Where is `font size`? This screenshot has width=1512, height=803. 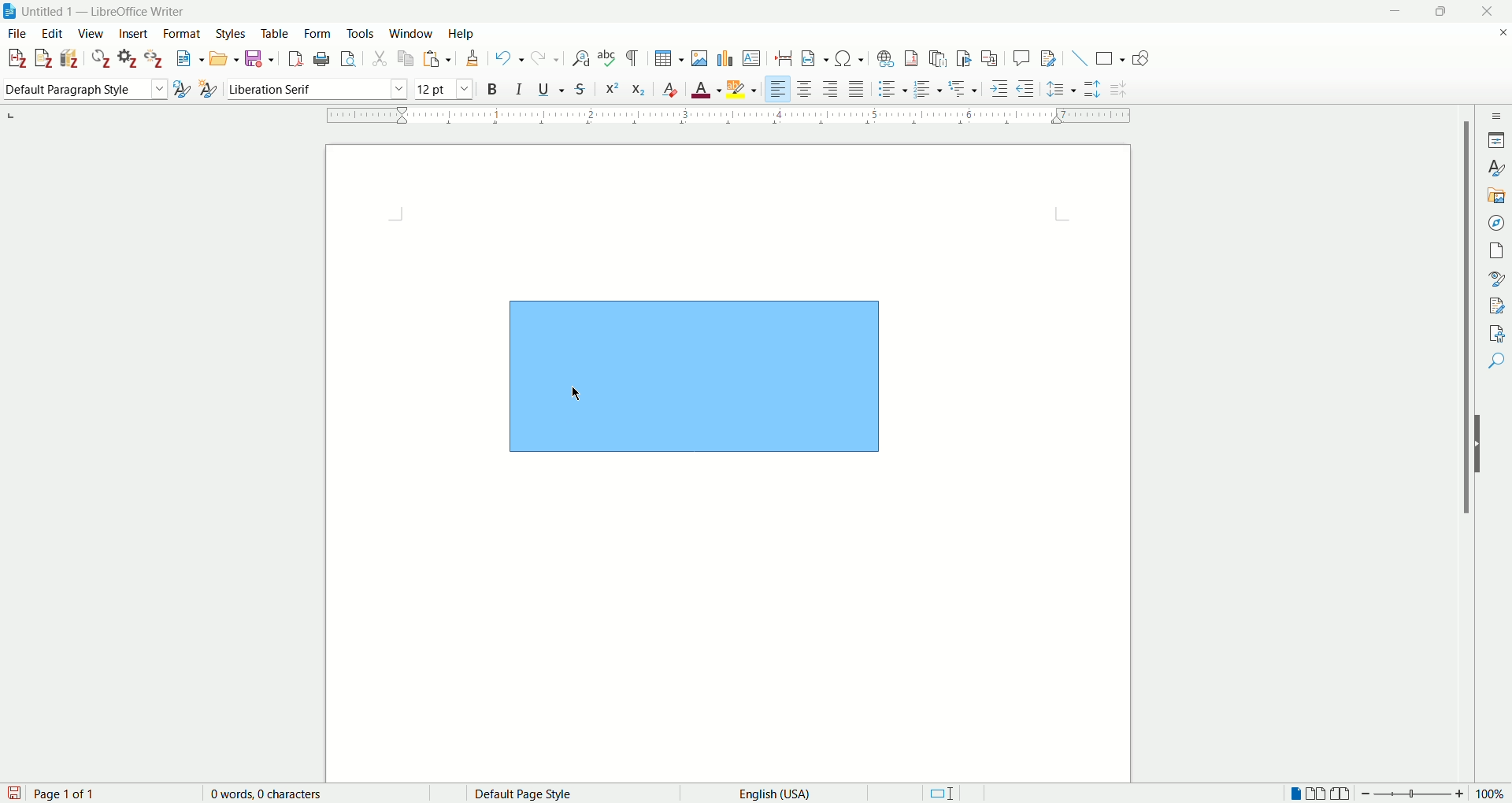
font size is located at coordinates (442, 89).